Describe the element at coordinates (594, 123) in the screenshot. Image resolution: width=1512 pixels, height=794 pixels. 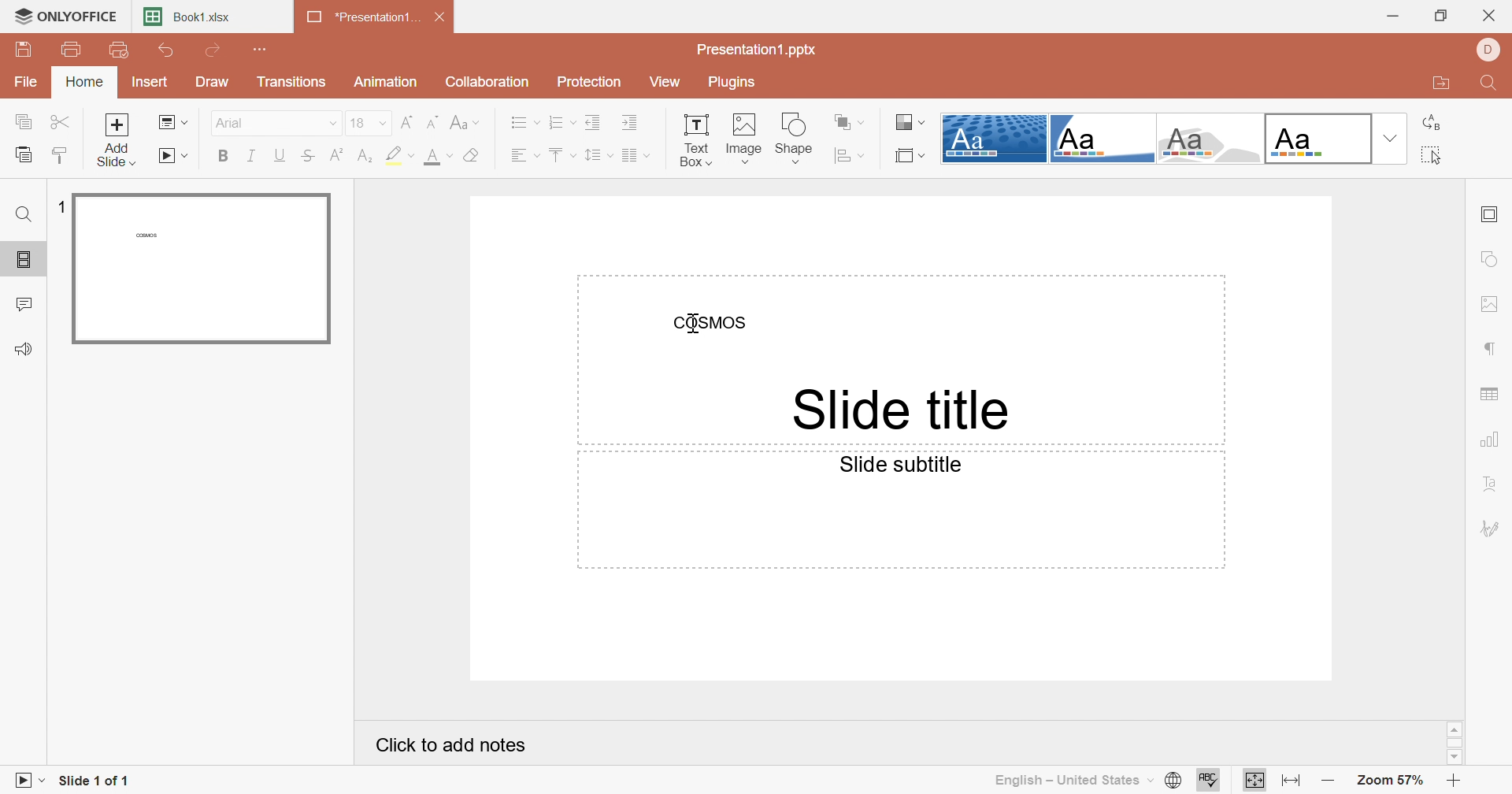
I see `Decrease indent` at that location.